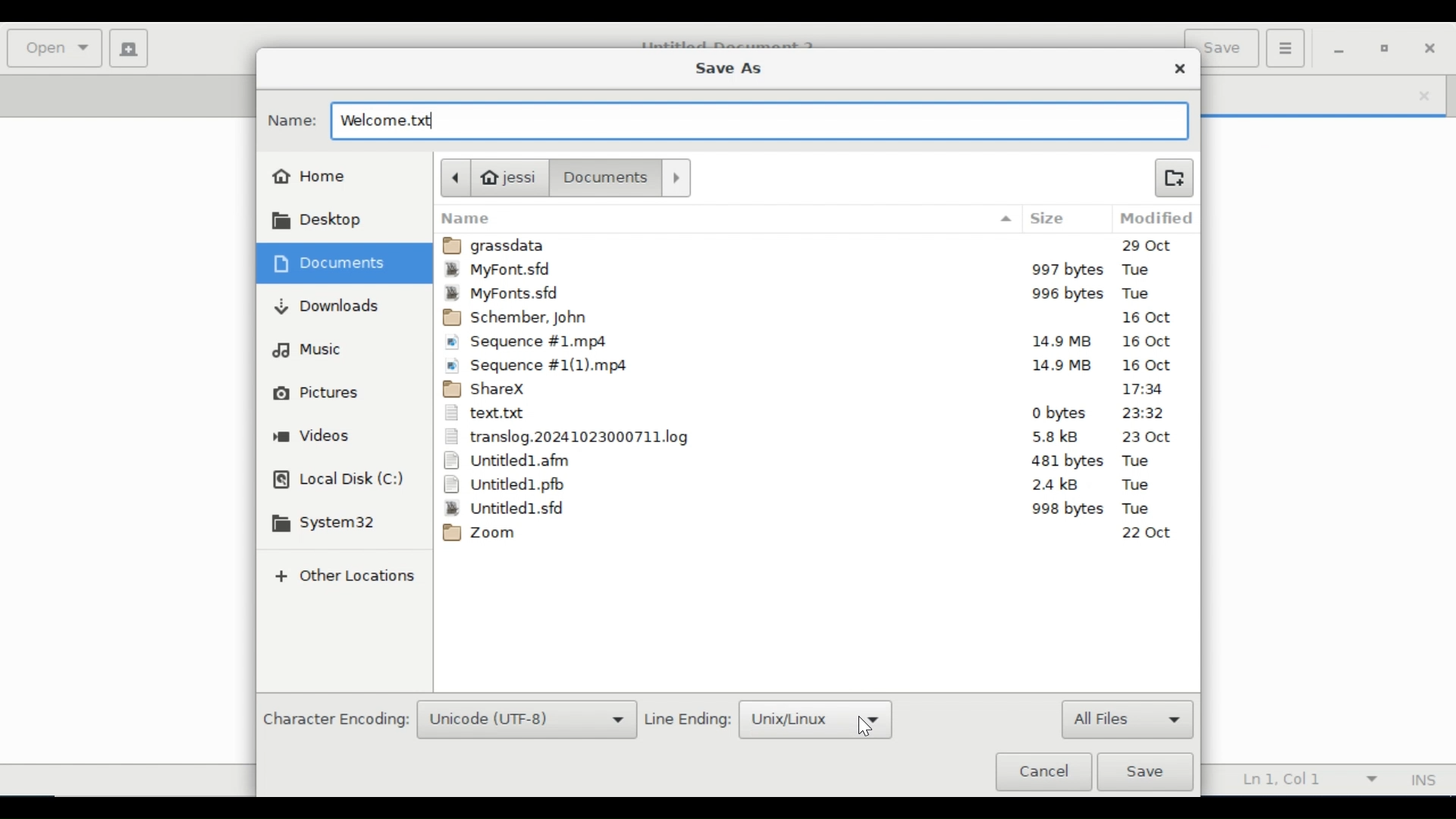 The height and width of the screenshot is (819, 1456). What do you see at coordinates (810, 508) in the screenshot?
I see `Untitled1.sfd` at bounding box center [810, 508].